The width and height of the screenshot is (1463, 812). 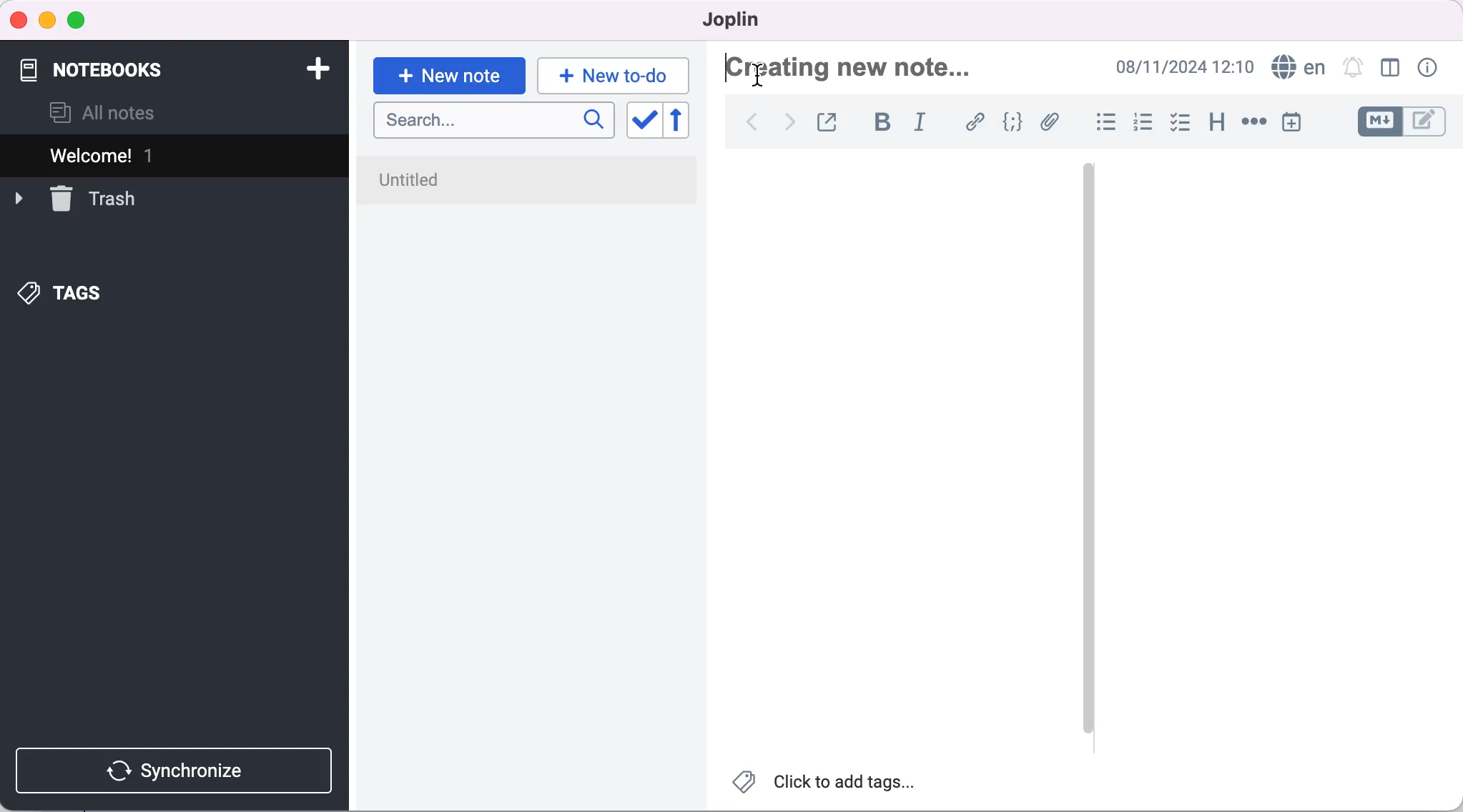 I want to click on back, so click(x=754, y=124).